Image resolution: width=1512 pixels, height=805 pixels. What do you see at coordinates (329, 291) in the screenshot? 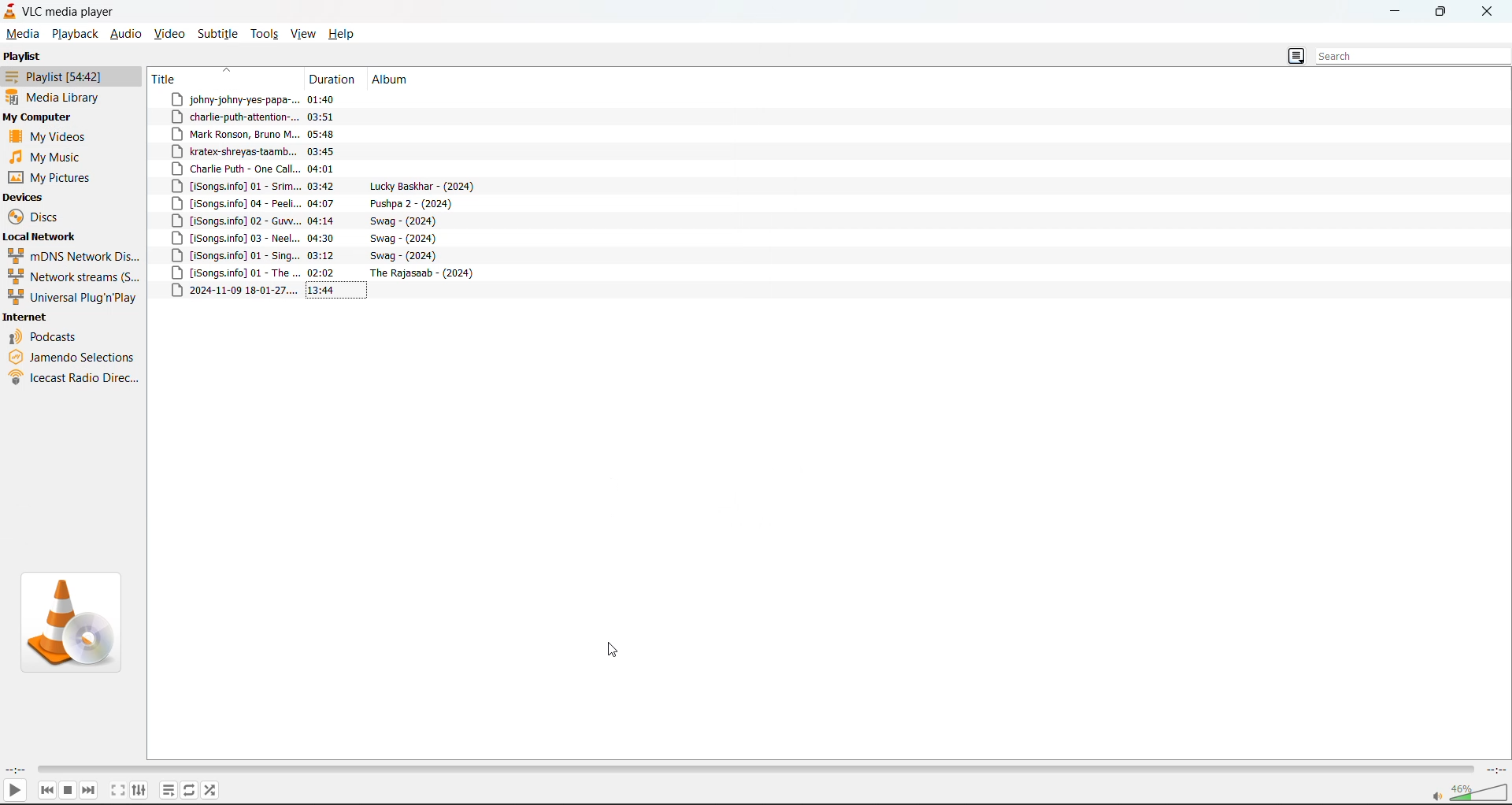
I see `track 12 title, duration and album details` at bounding box center [329, 291].